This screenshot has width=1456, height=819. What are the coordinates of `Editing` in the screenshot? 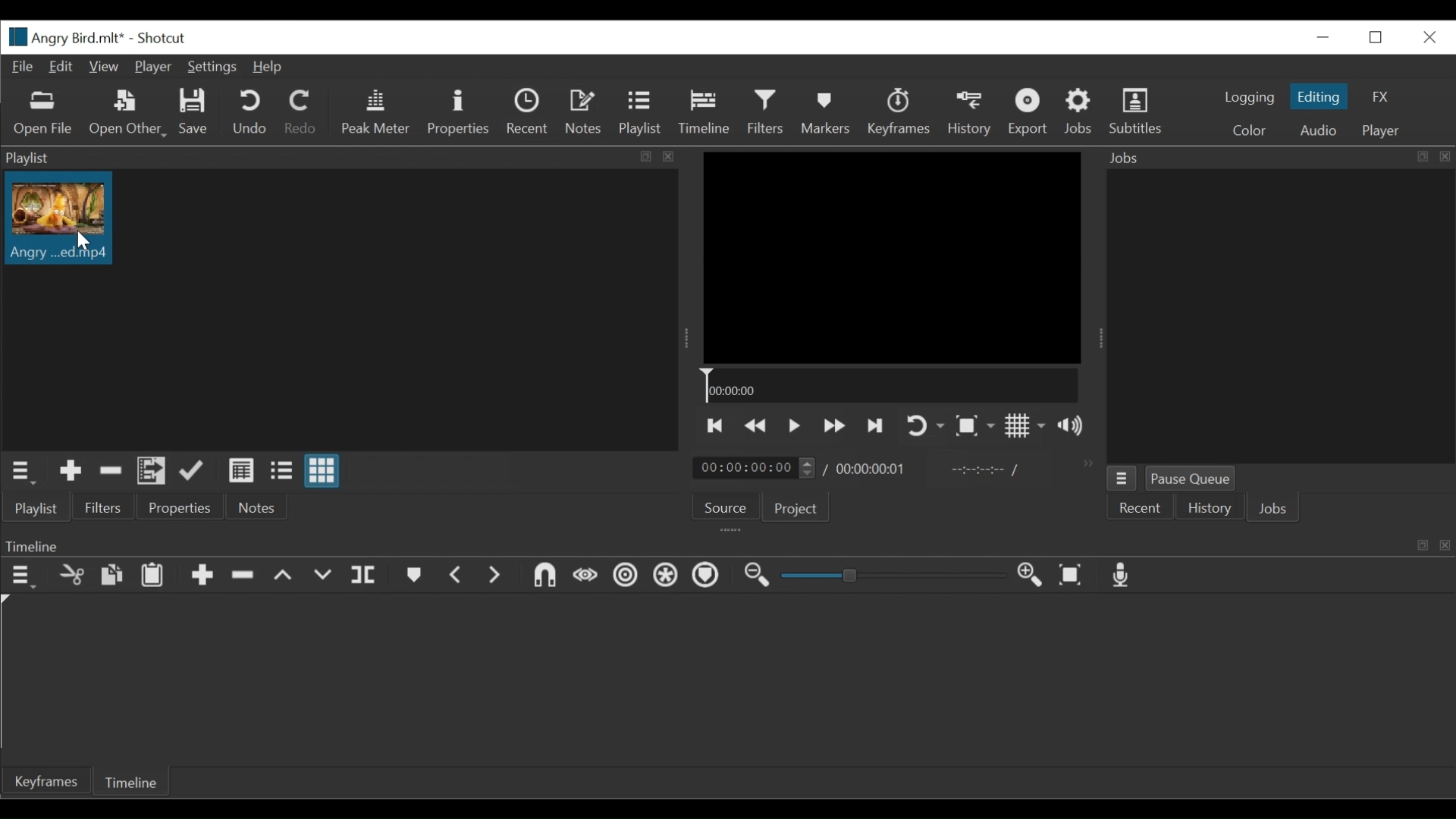 It's located at (1319, 96).